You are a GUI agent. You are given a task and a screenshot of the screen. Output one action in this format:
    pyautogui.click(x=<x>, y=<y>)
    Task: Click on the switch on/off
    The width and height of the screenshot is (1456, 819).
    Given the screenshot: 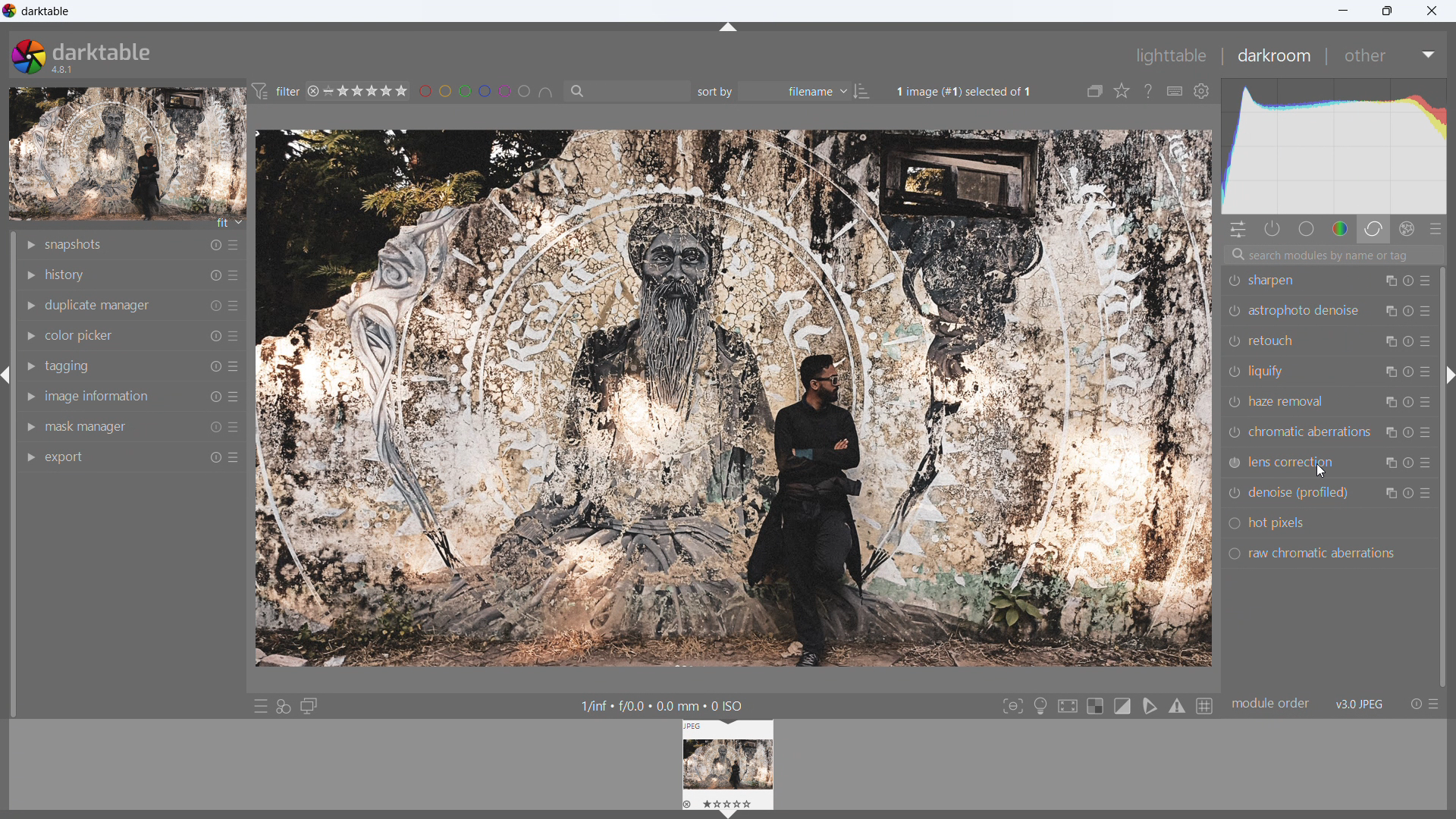 What is the action you would take?
    pyautogui.click(x=1235, y=419)
    